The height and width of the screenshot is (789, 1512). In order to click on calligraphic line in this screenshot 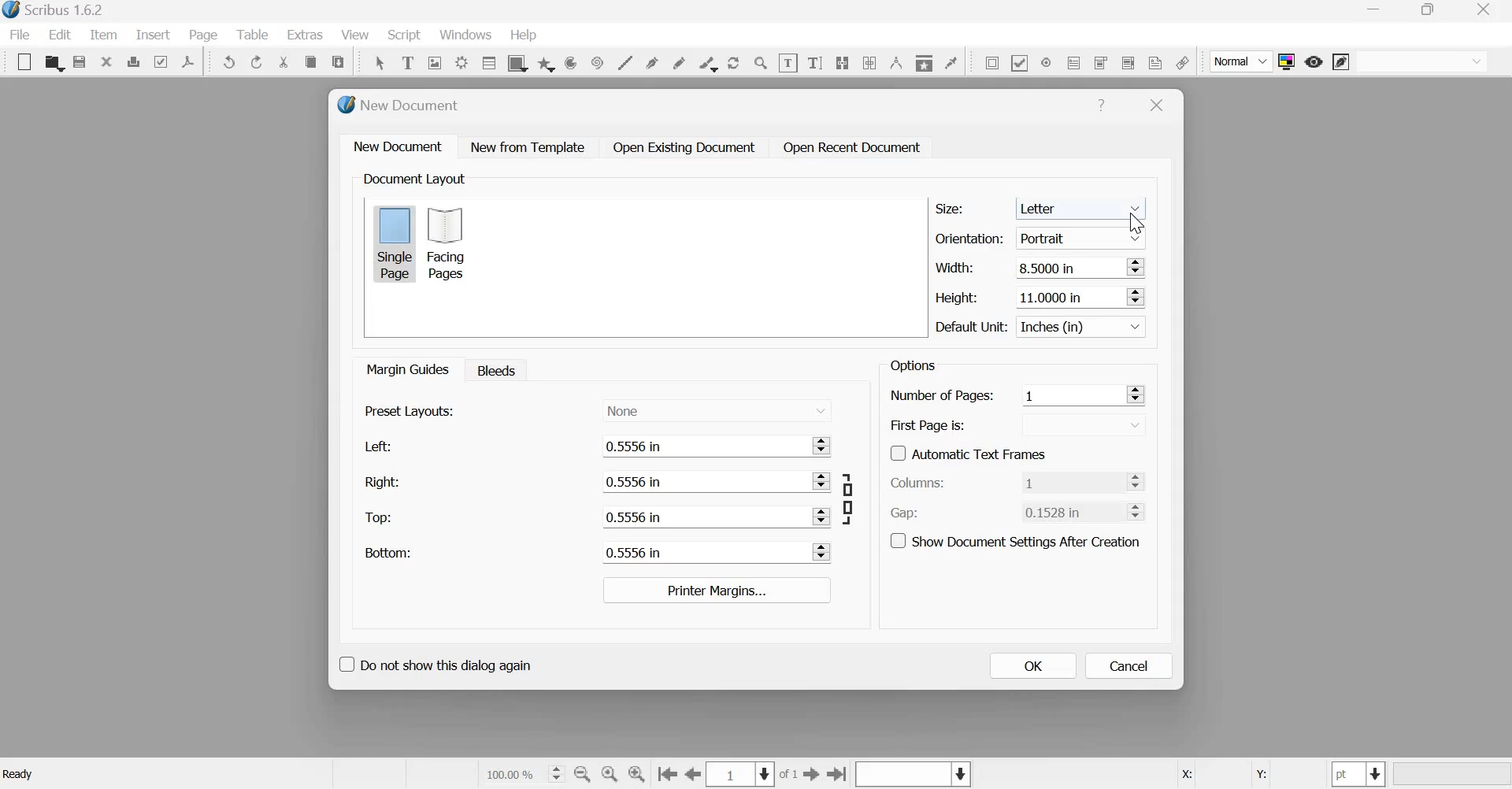, I will do `click(706, 62)`.